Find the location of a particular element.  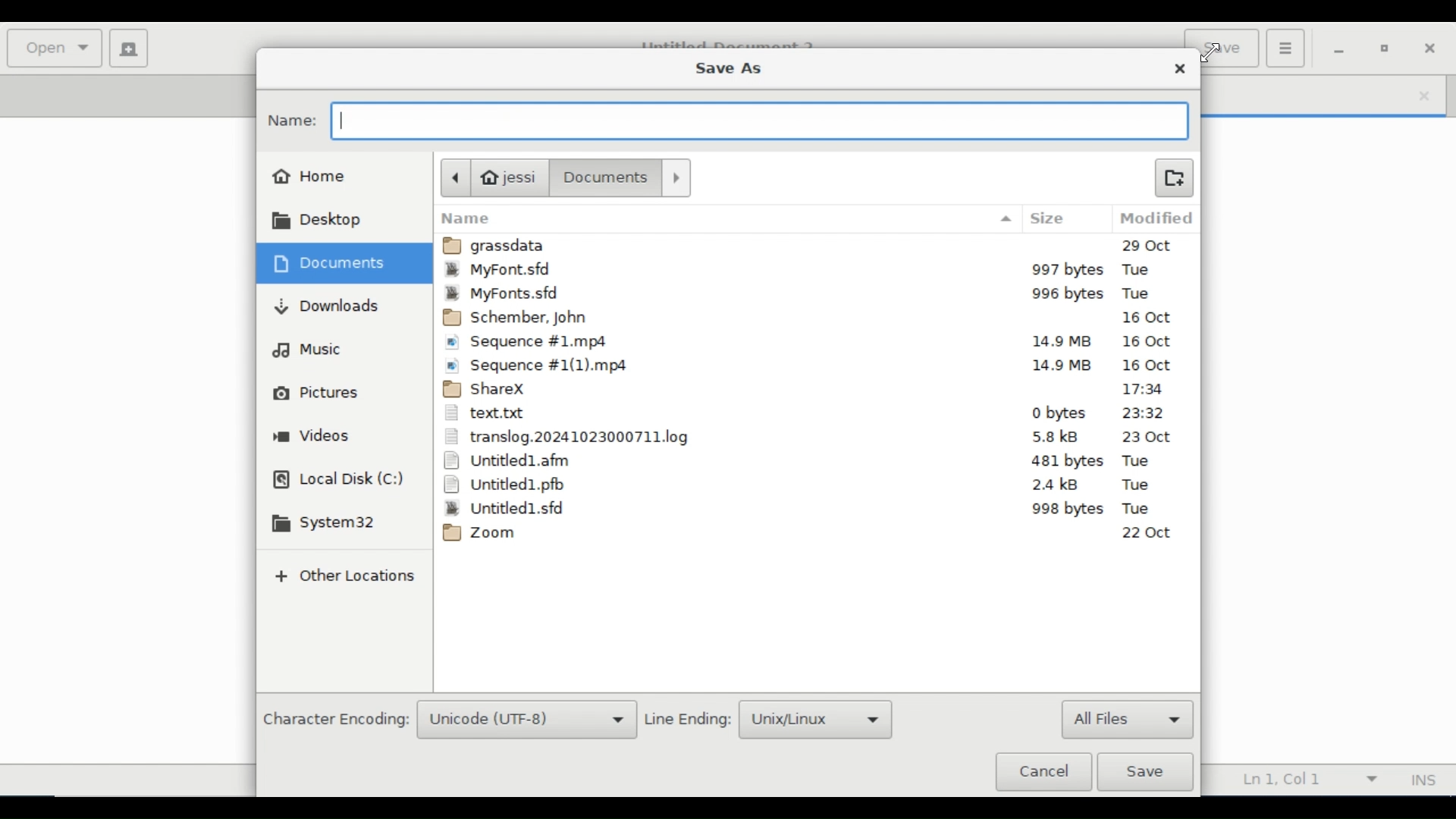

grassdata 29Oct is located at coordinates (817, 246).